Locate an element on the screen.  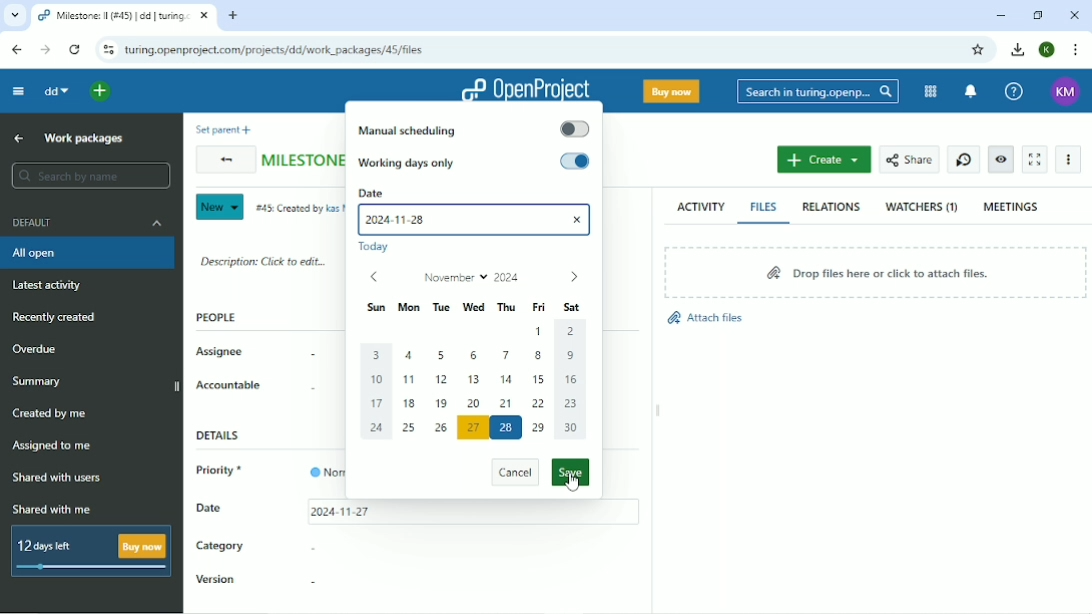
Minimize is located at coordinates (1001, 15).